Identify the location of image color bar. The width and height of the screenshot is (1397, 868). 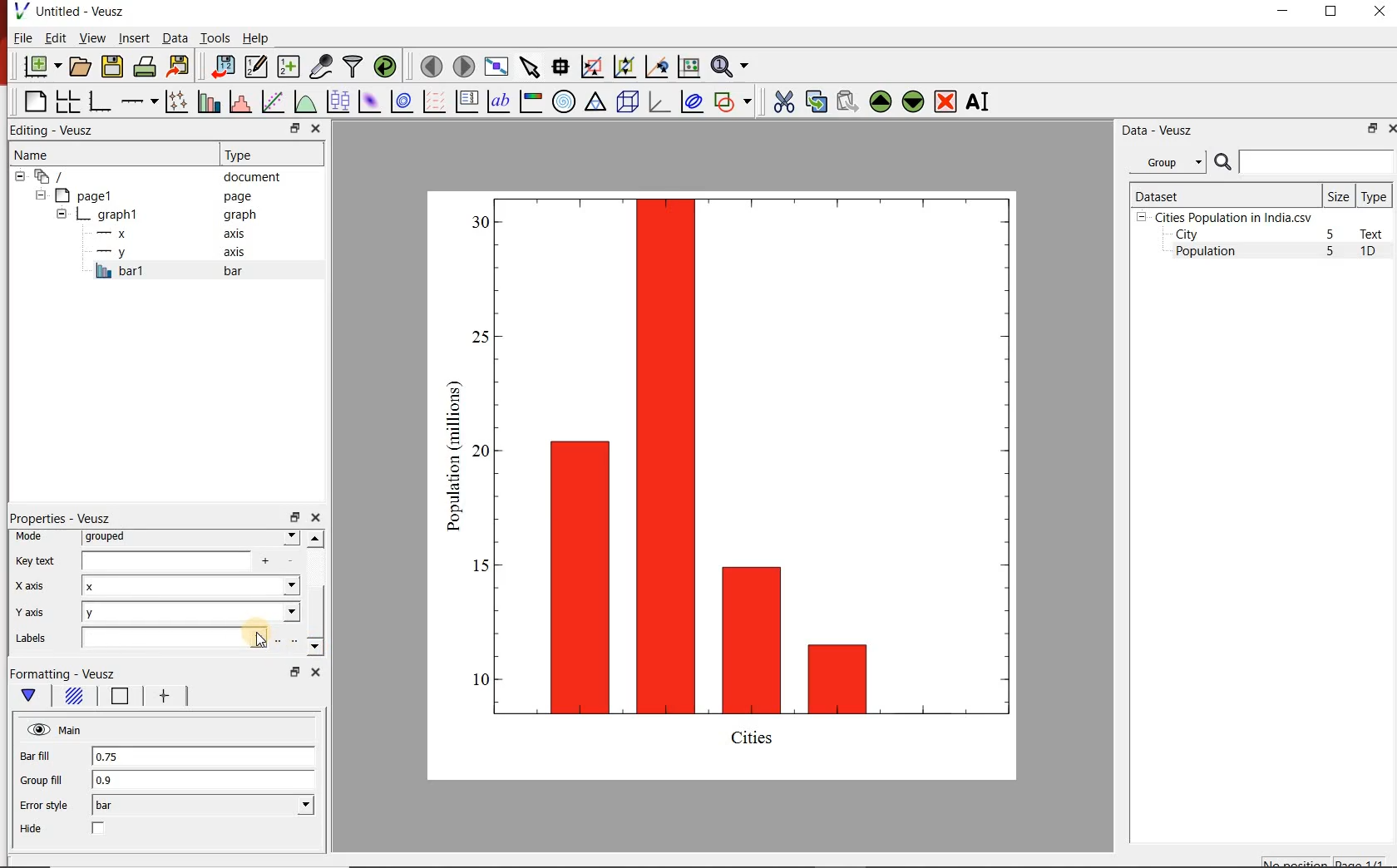
(531, 101).